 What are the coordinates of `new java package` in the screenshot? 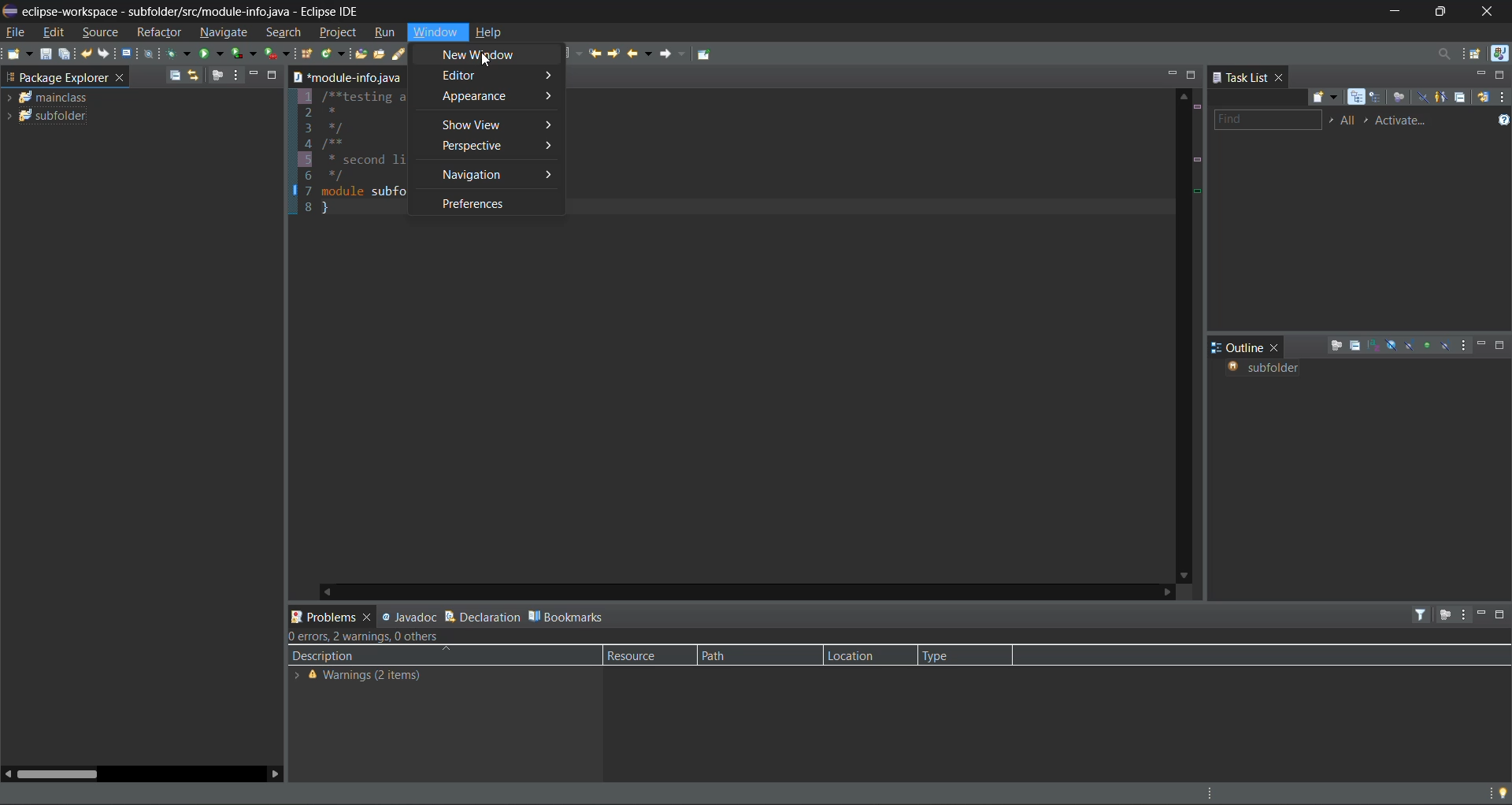 It's located at (308, 54).